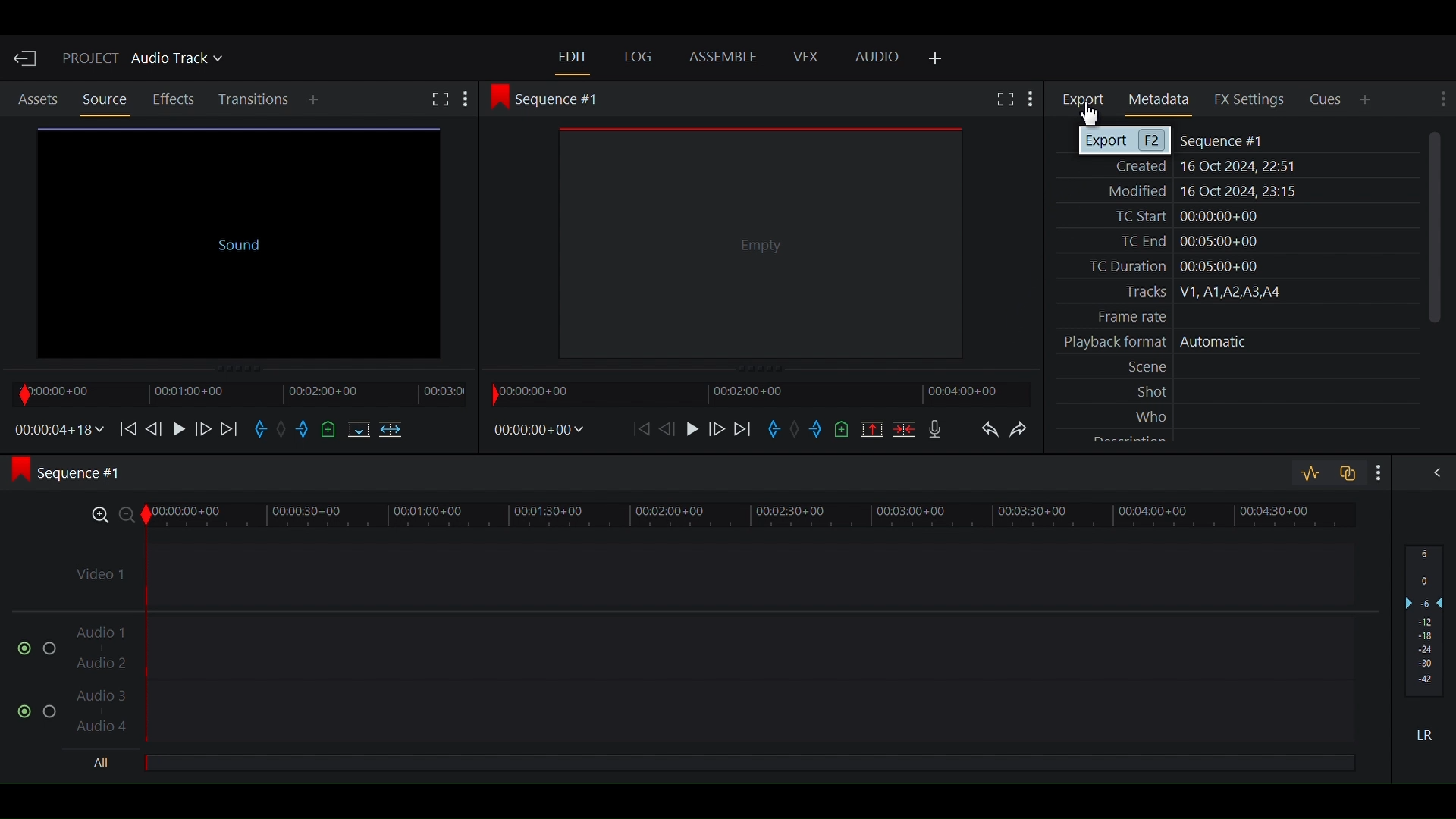  Describe the element at coordinates (176, 99) in the screenshot. I see `Effects` at that location.